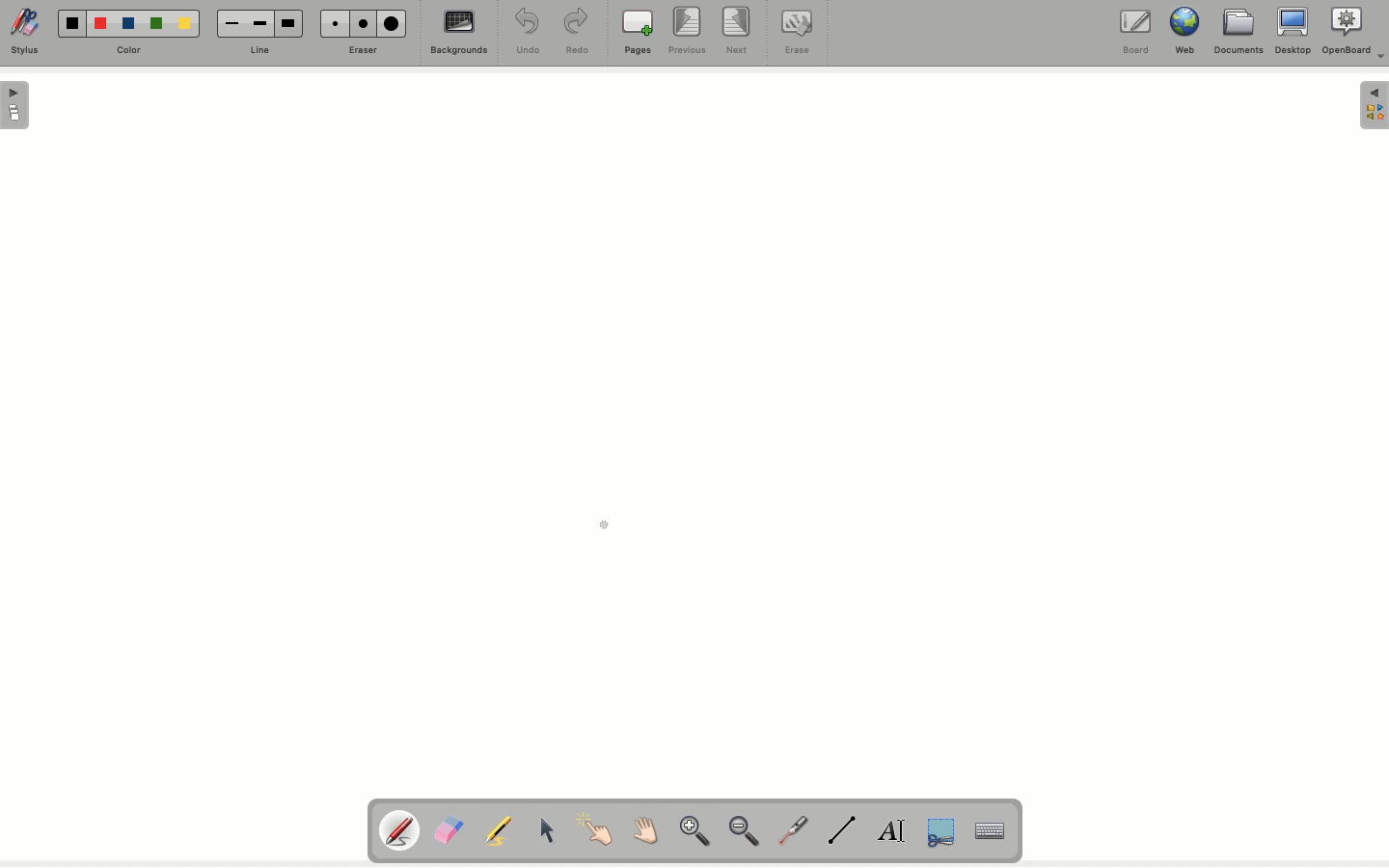 This screenshot has height=868, width=1389. What do you see at coordinates (101, 26) in the screenshot?
I see `Red` at bounding box center [101, 26].